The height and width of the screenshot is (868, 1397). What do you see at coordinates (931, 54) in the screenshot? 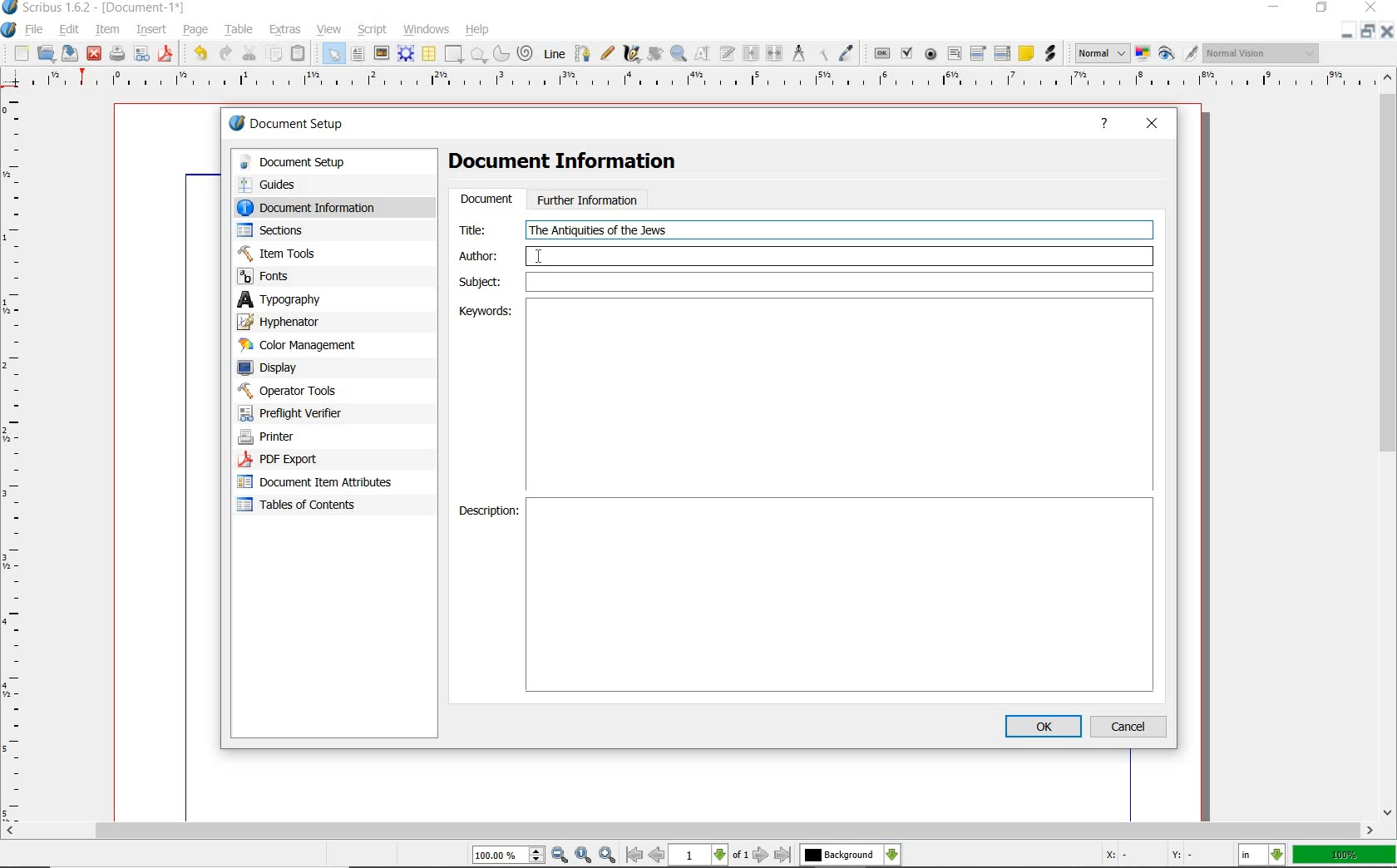
I see `pdf radio button` at bounding box center [931, 54].